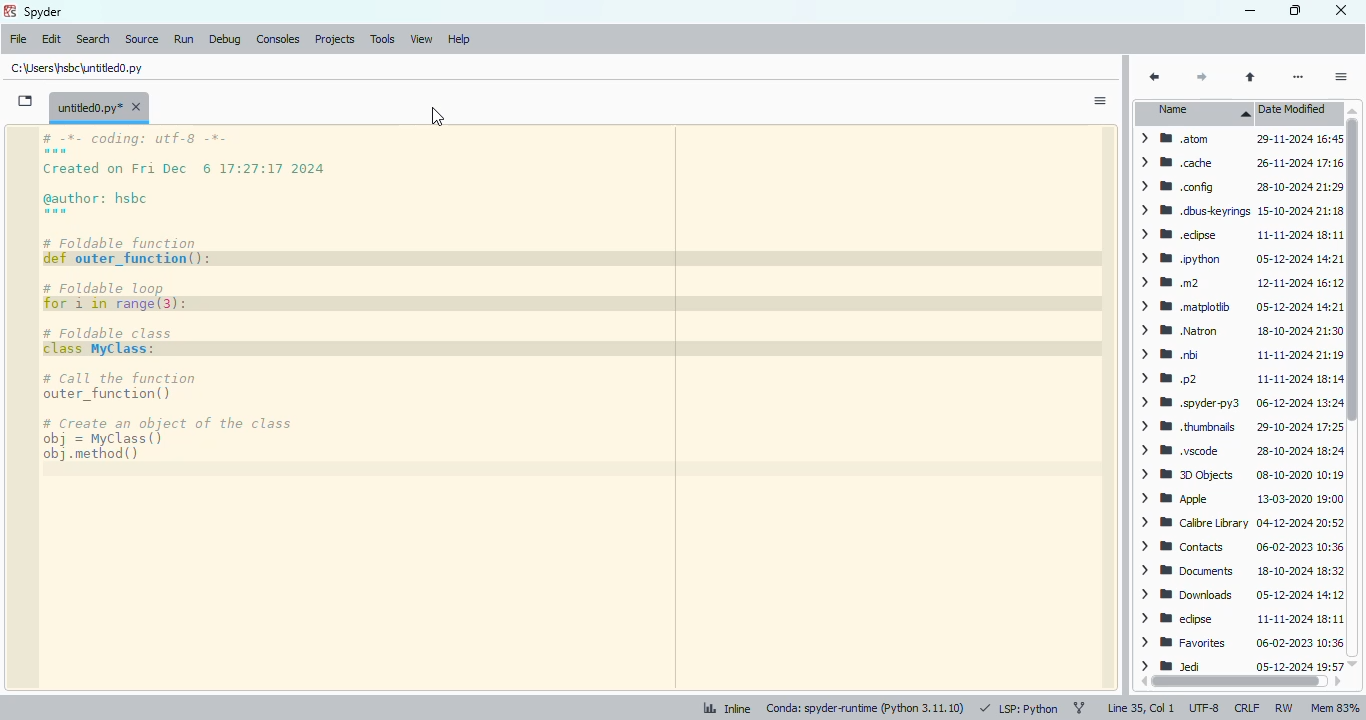 Image resolution: width=1366 pixels, height=720 pixels. What do you see at coordinates (18, 39) in the screenshot?
I see `file` at bounding box center [18, 39].